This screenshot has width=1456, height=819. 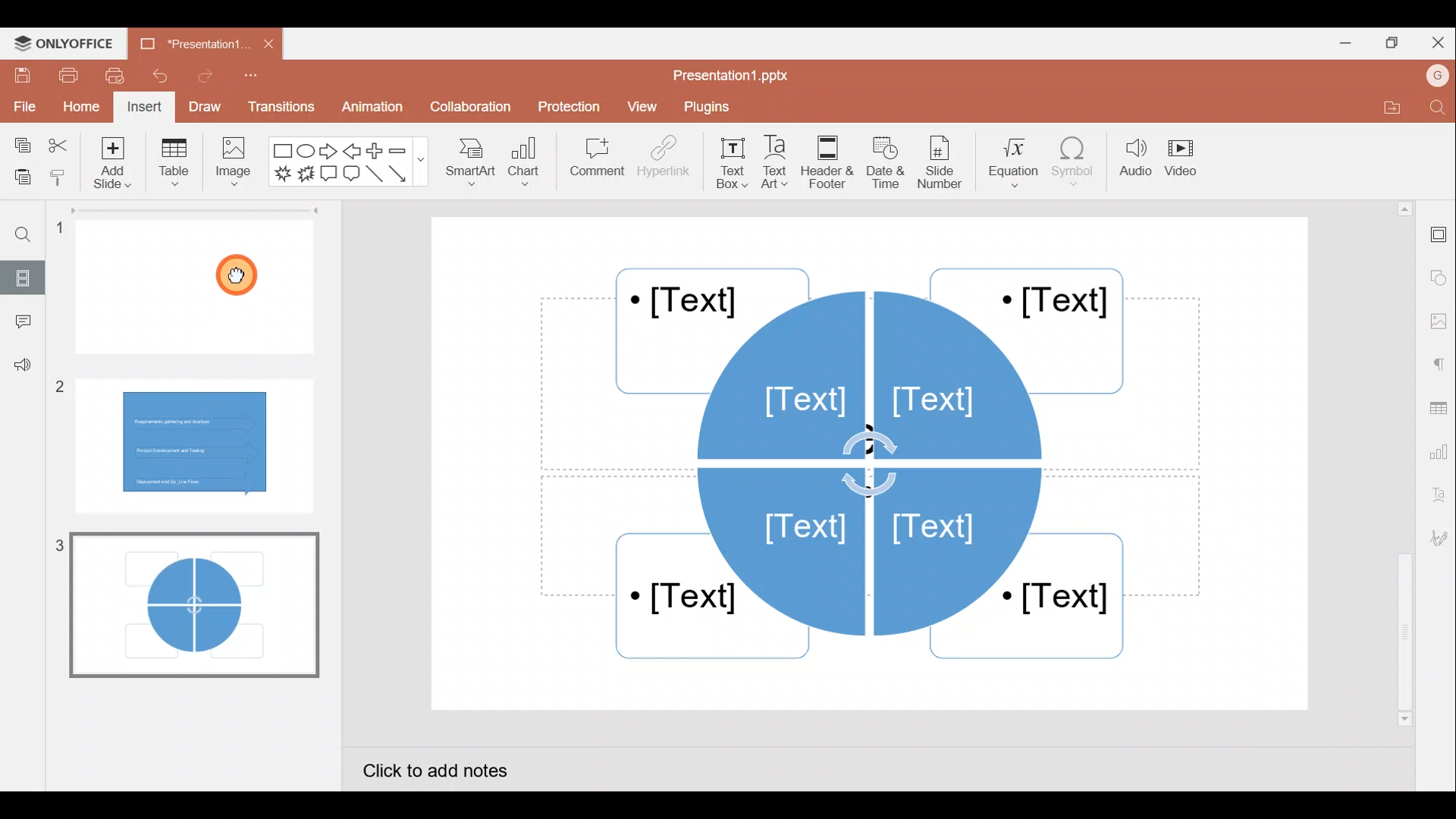 What do you see at coordinates (369, 106) in the screenshot?
I see `Animation` at bounding box center [369, 106].